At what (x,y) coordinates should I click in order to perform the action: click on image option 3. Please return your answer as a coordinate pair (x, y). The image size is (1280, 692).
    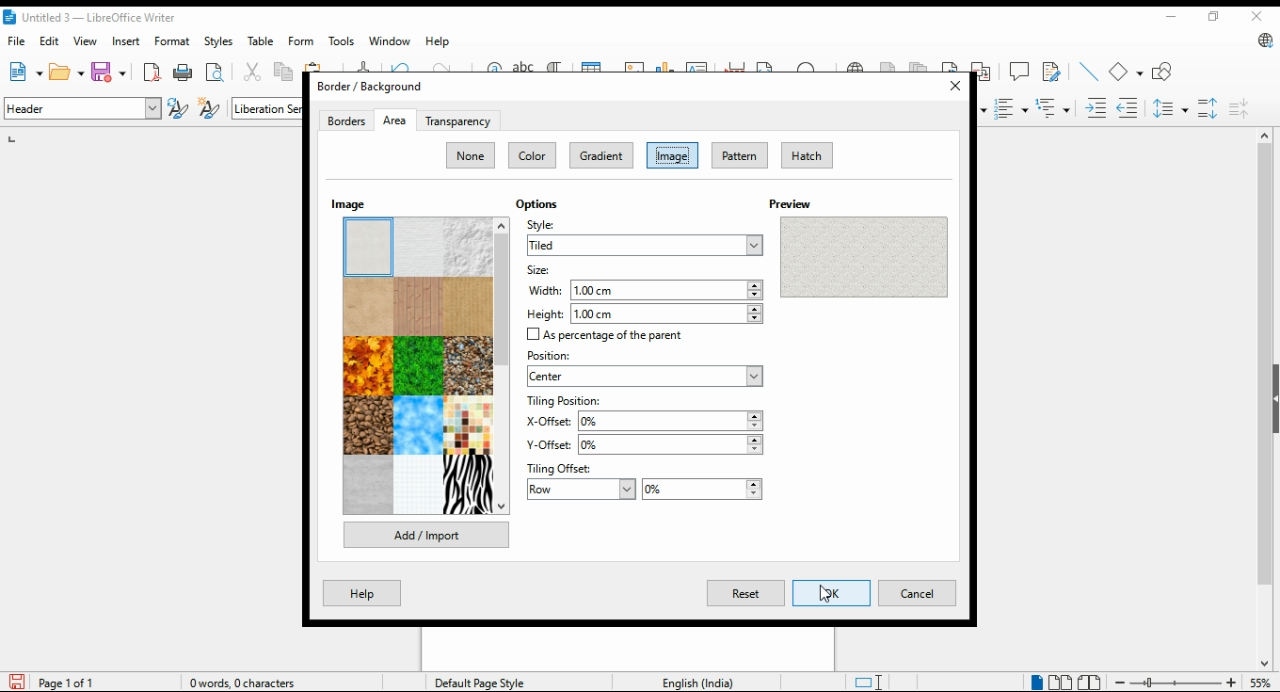
    Looking at the image, I should click on (468, 247).